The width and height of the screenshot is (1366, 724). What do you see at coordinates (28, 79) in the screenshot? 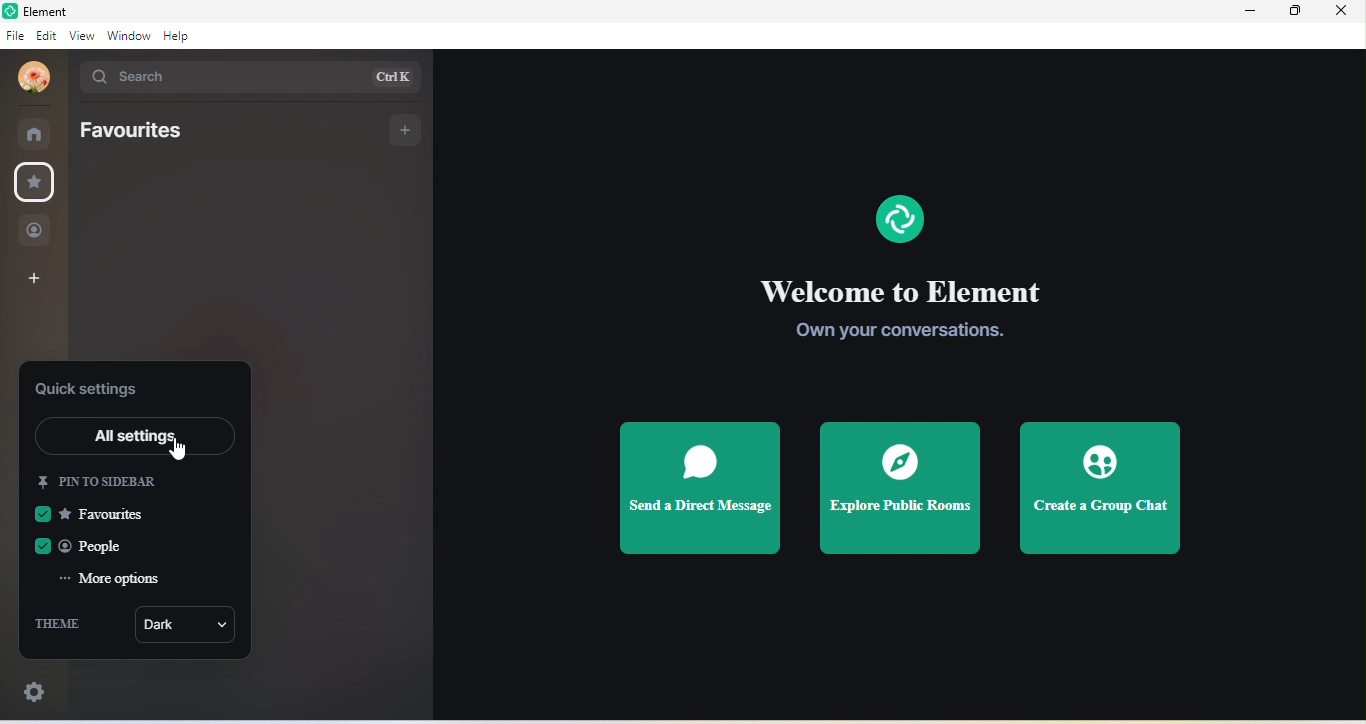
I see `profile photo` at bounding box center [28, 79].